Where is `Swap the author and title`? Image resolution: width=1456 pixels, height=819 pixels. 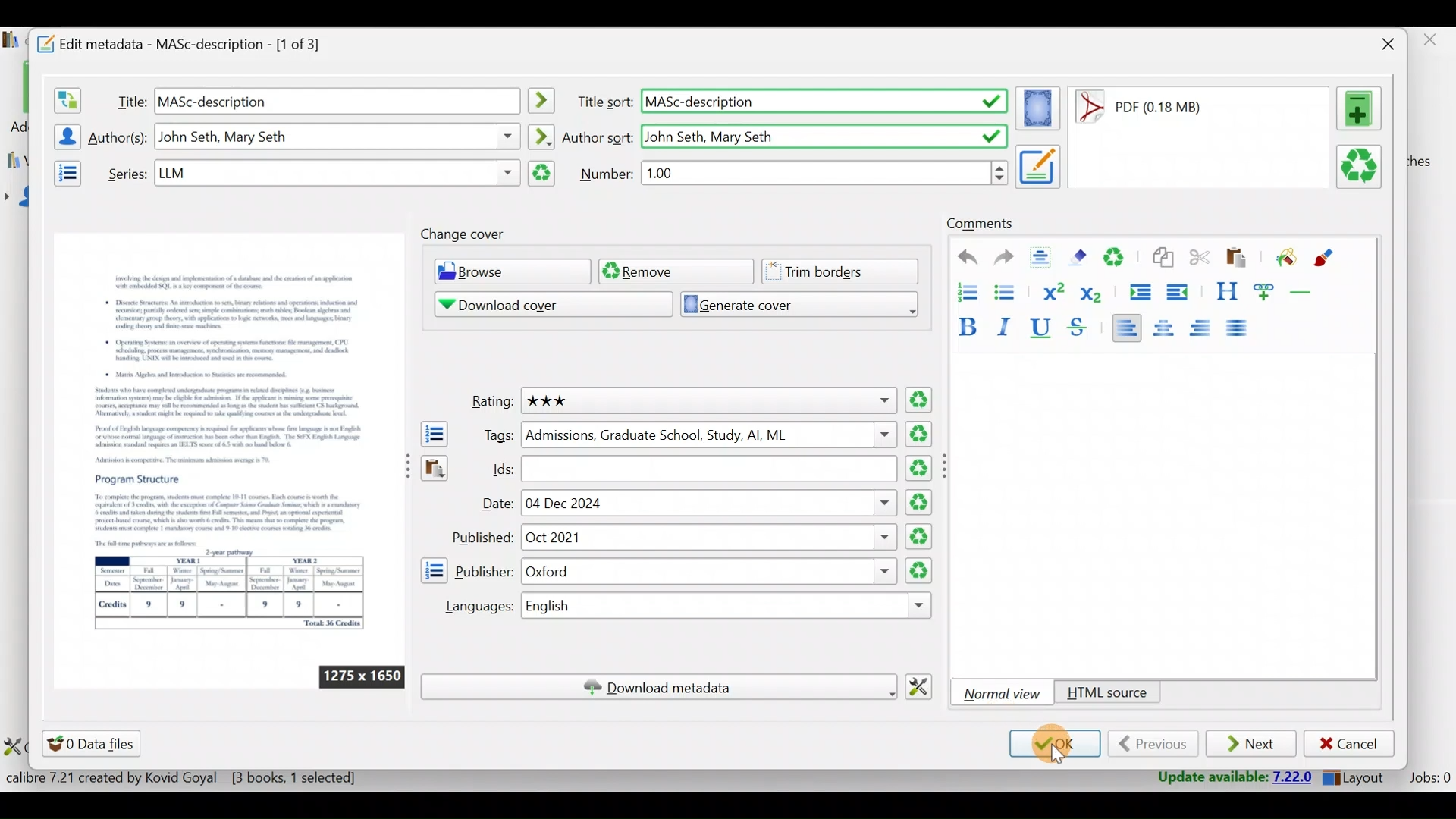
Swap the author and title is located at coordinates (66, 97).